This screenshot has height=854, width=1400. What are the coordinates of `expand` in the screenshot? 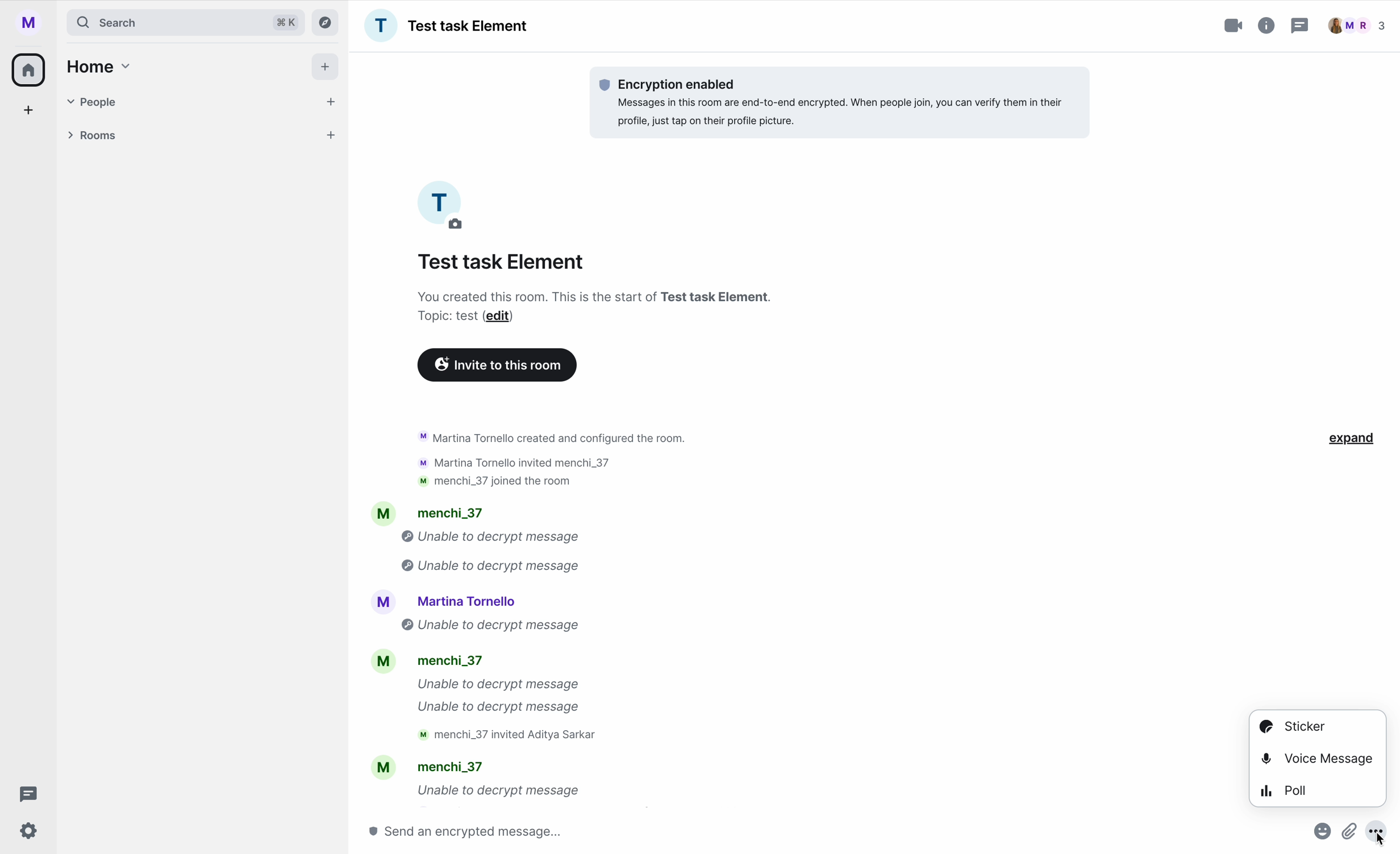 It's located at (1353, 439).